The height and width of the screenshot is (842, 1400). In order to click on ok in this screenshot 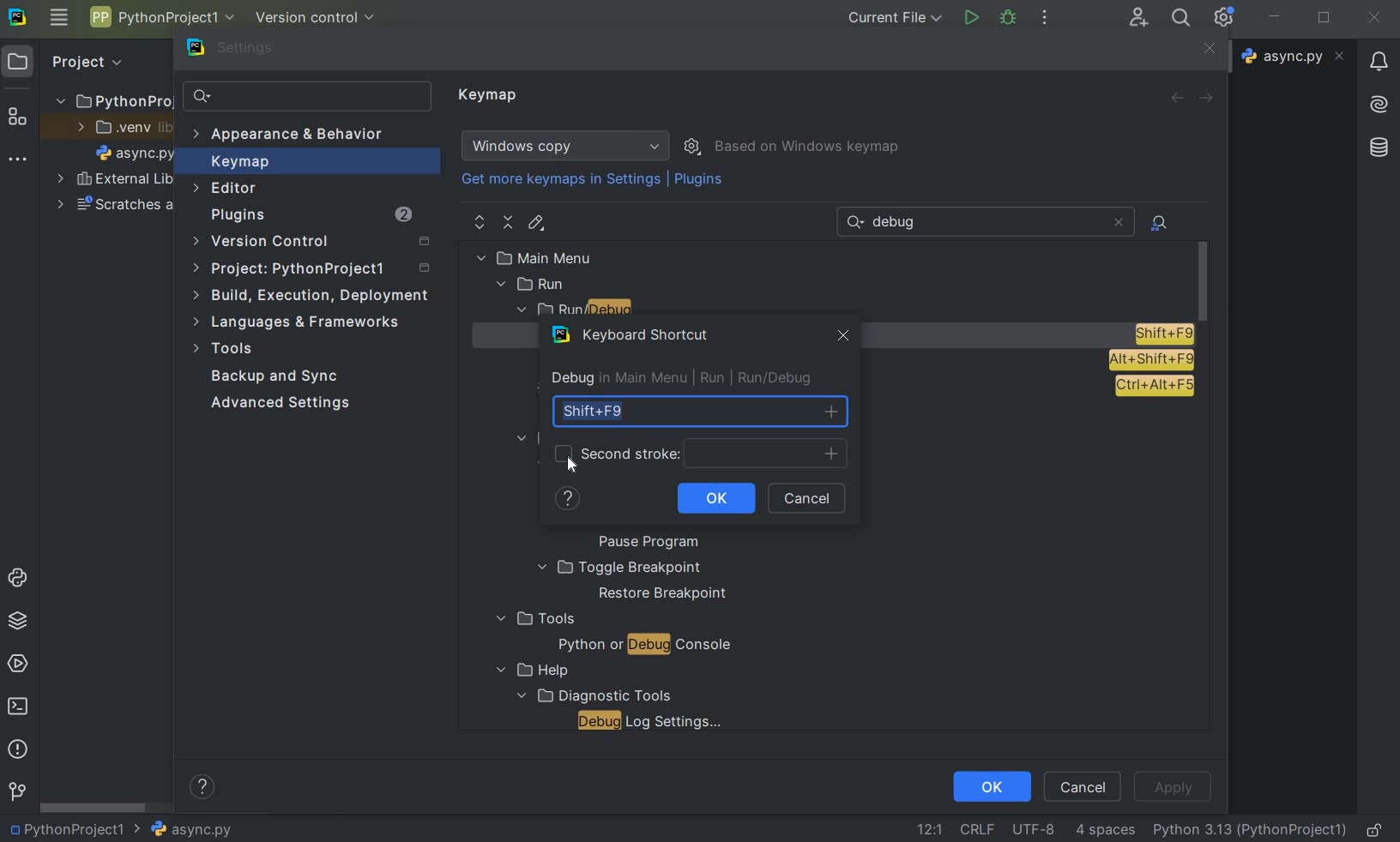, I will do `click(715, 499)`.